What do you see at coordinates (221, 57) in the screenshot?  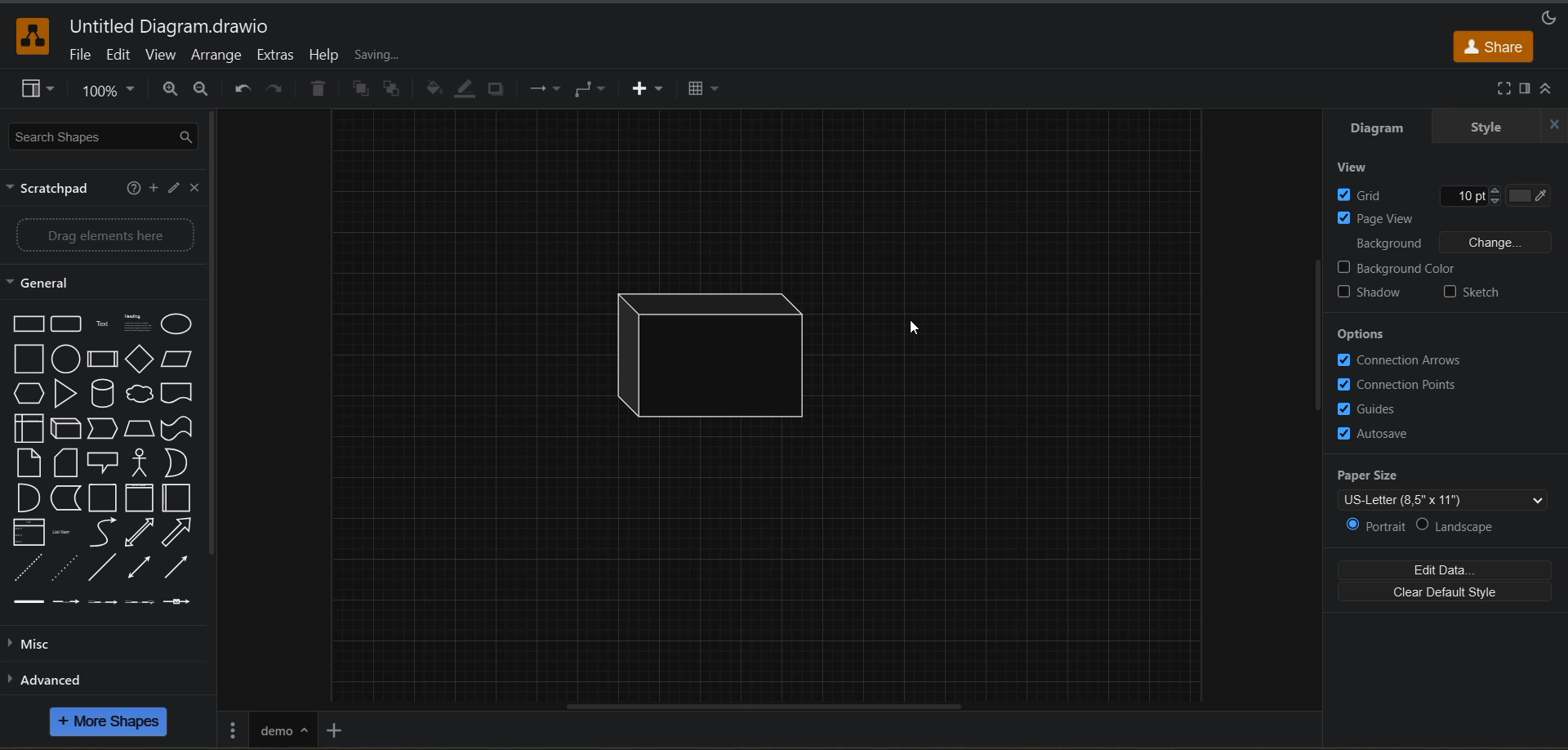 I see `arrange` at bounding box center [221, 57].